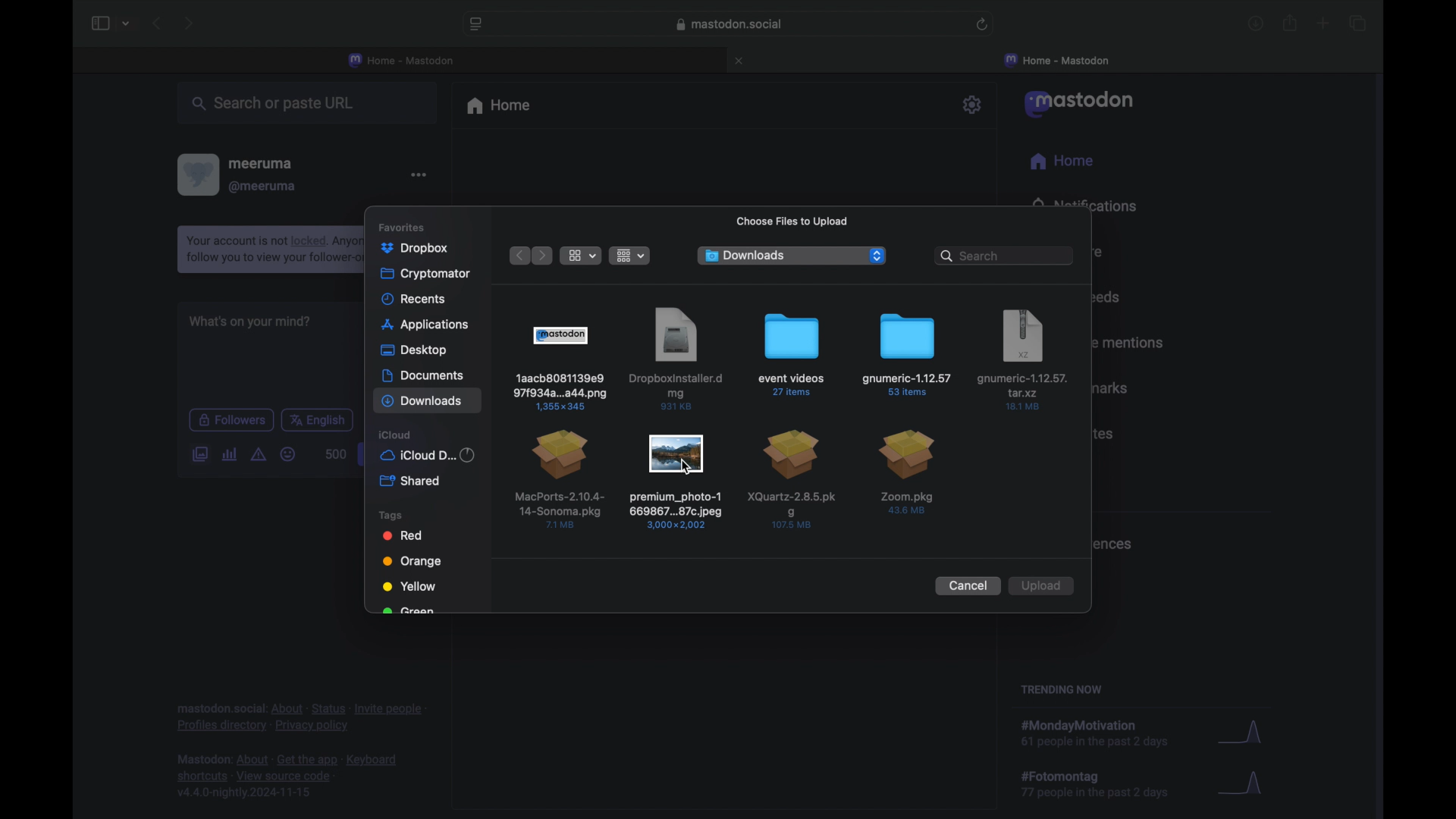  What do you see at coordinates (99, 24) in the screenshot?
I see `sidebar` at bounding box center [99, 24].